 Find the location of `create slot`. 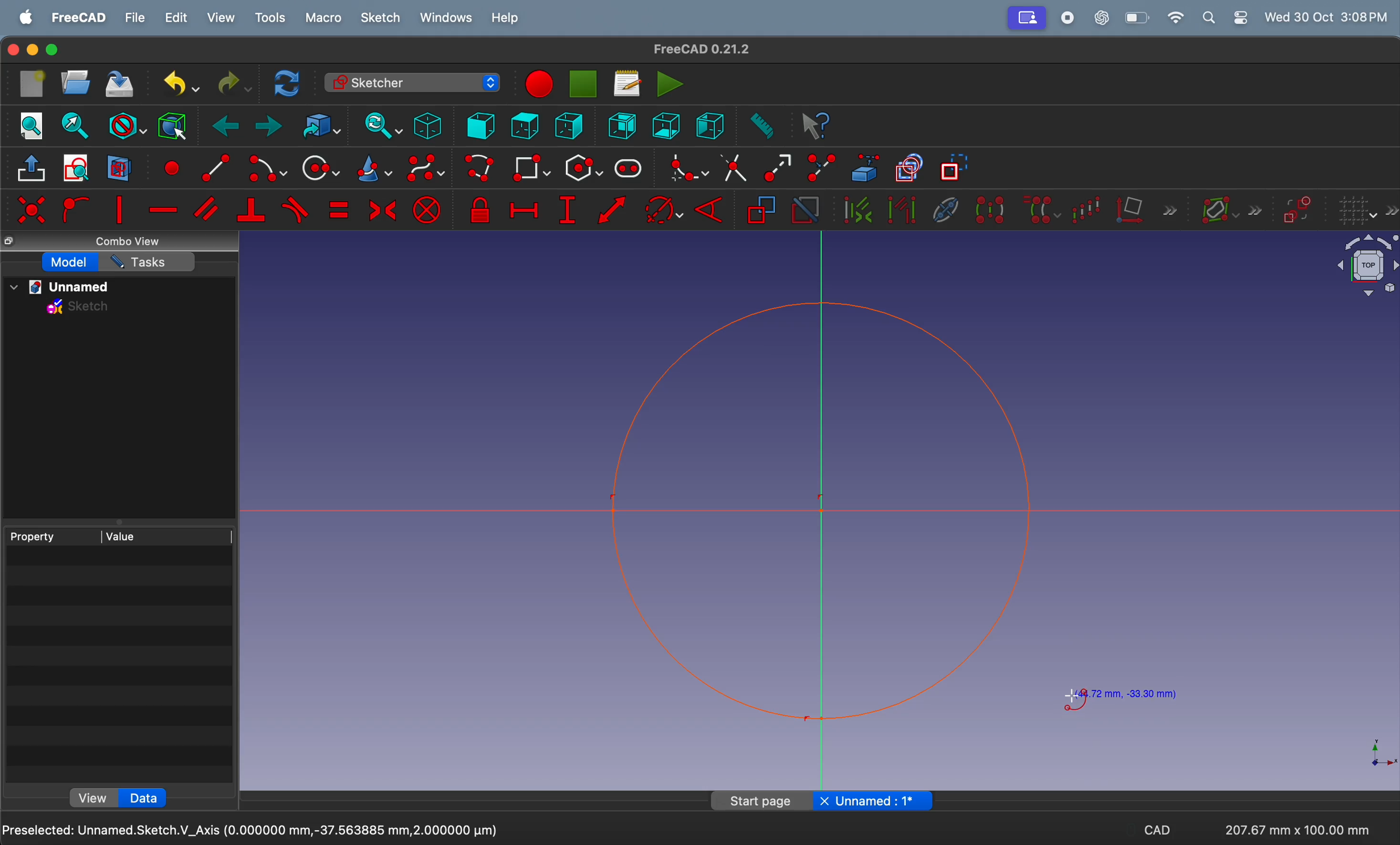

create slot is located at coordinates (628, 169).